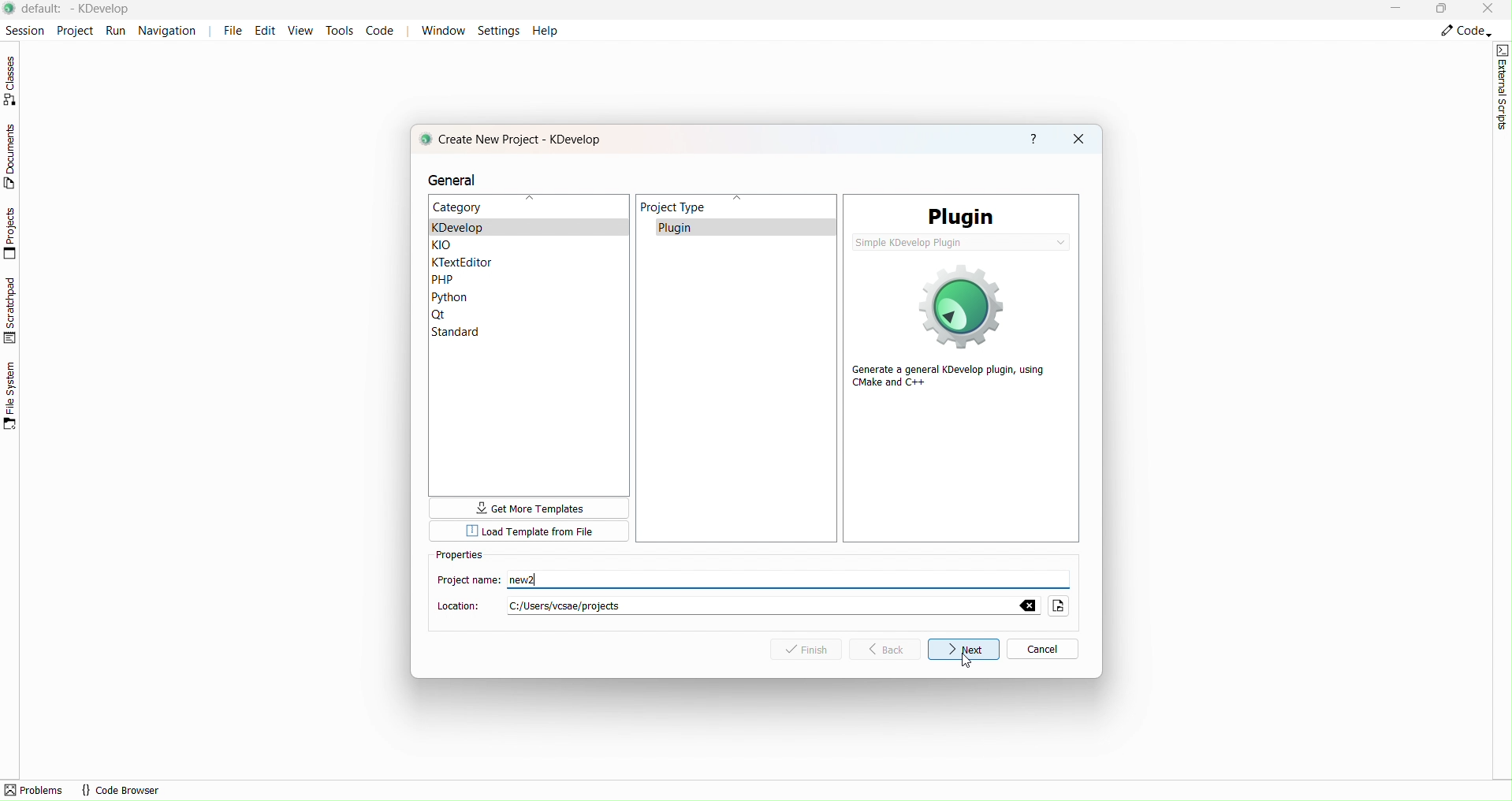 This screenshot has width=1512, height=801. I want to click on Scratchpad, so click(12, 310).